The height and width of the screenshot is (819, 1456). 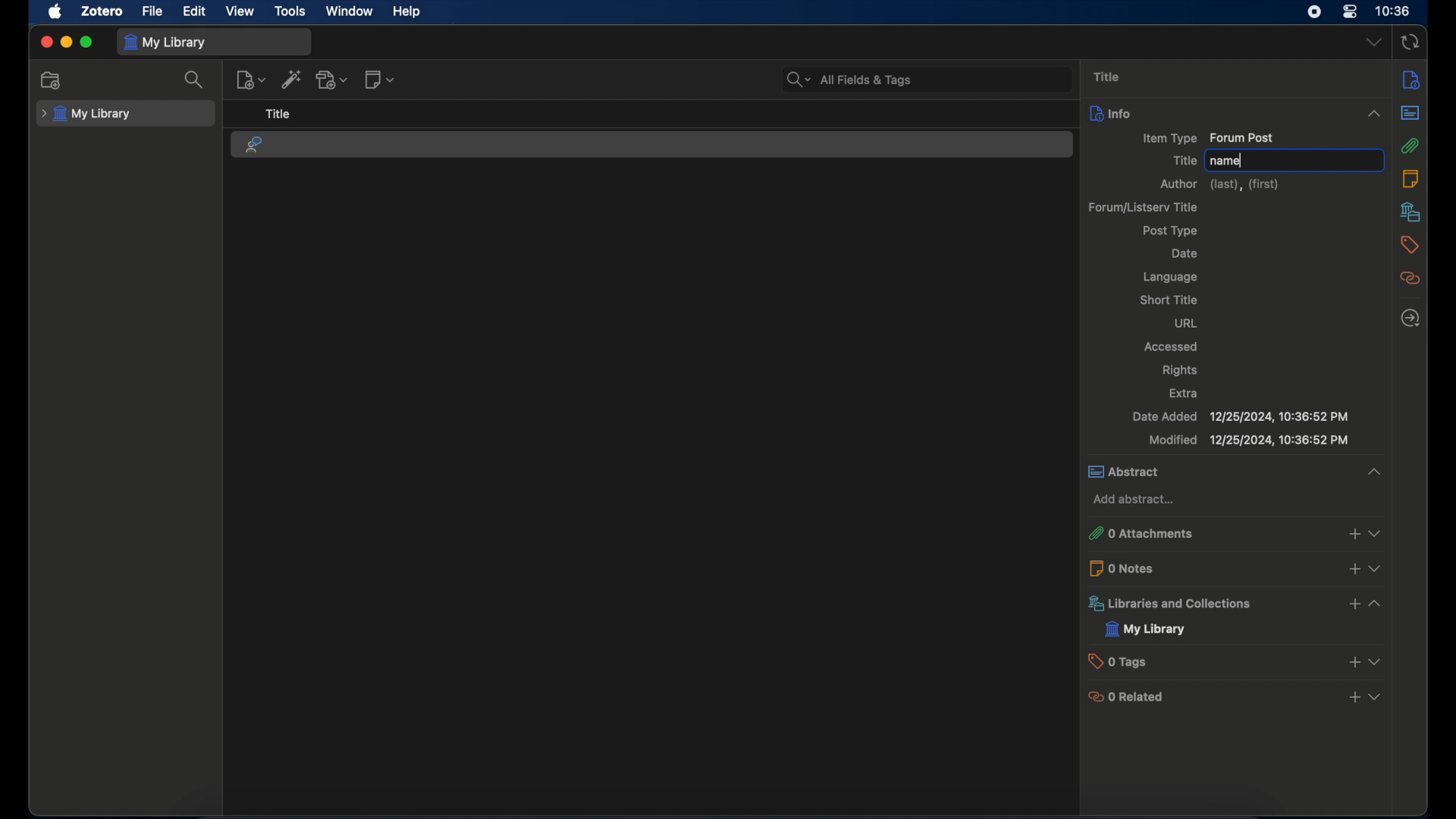 I want to click on apple, so click(x=54, y=11).